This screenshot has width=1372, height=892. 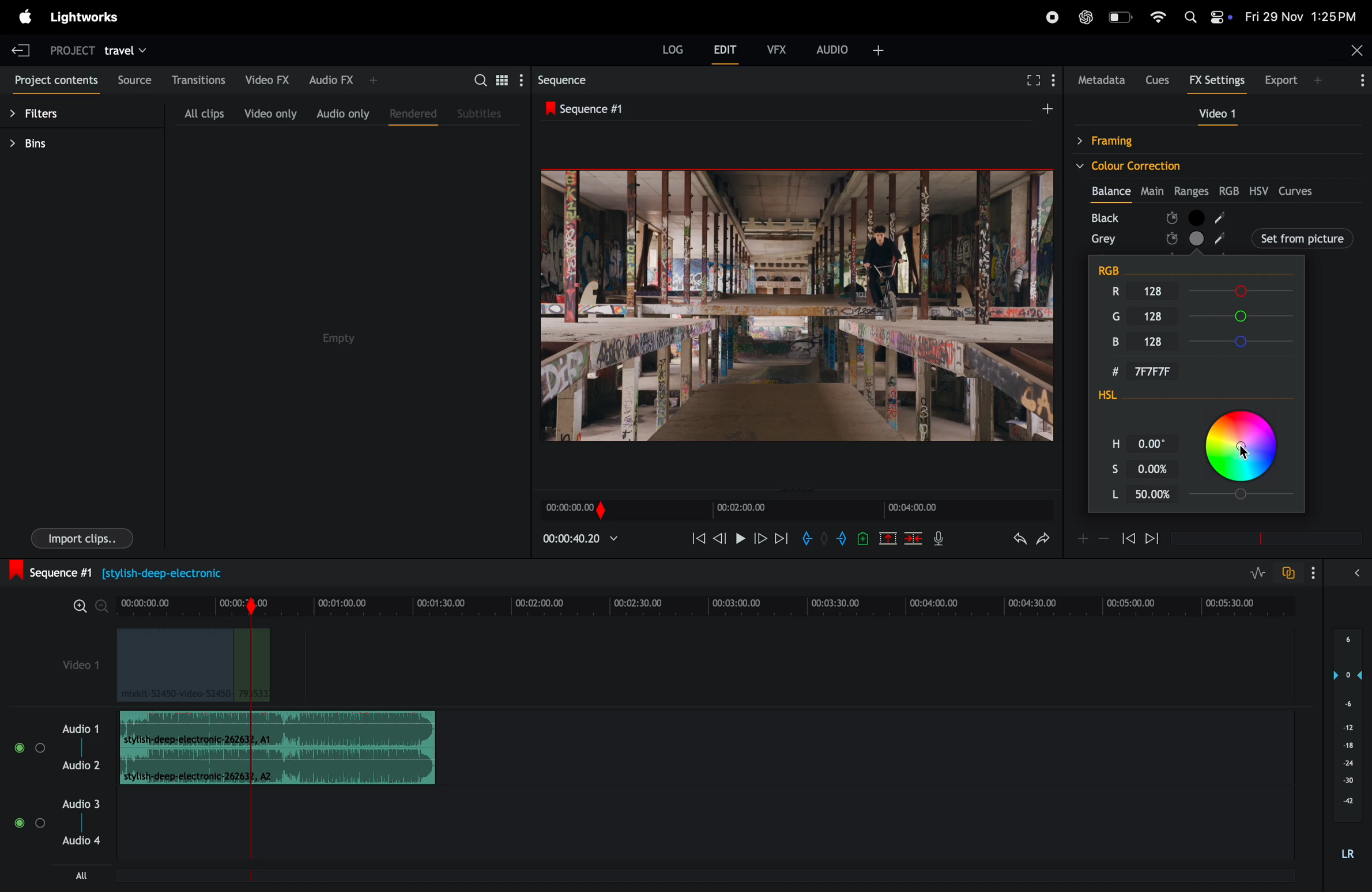 What do you see at coordinates (1056, 78) in the screenshot?
I see `show menu` at bounding box center [1056, 78].